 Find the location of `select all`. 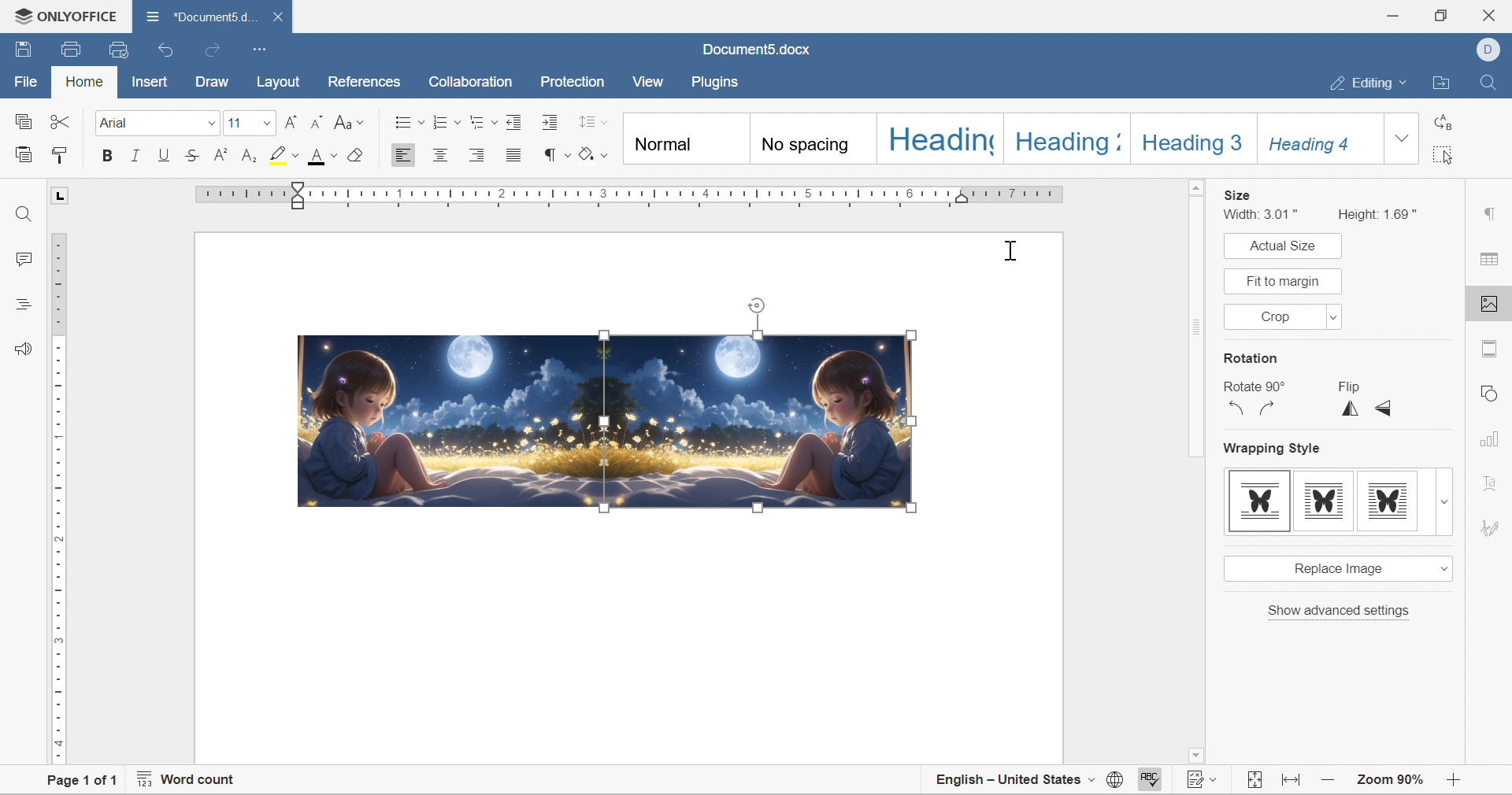

select all is located at coordinates (1443, 154).